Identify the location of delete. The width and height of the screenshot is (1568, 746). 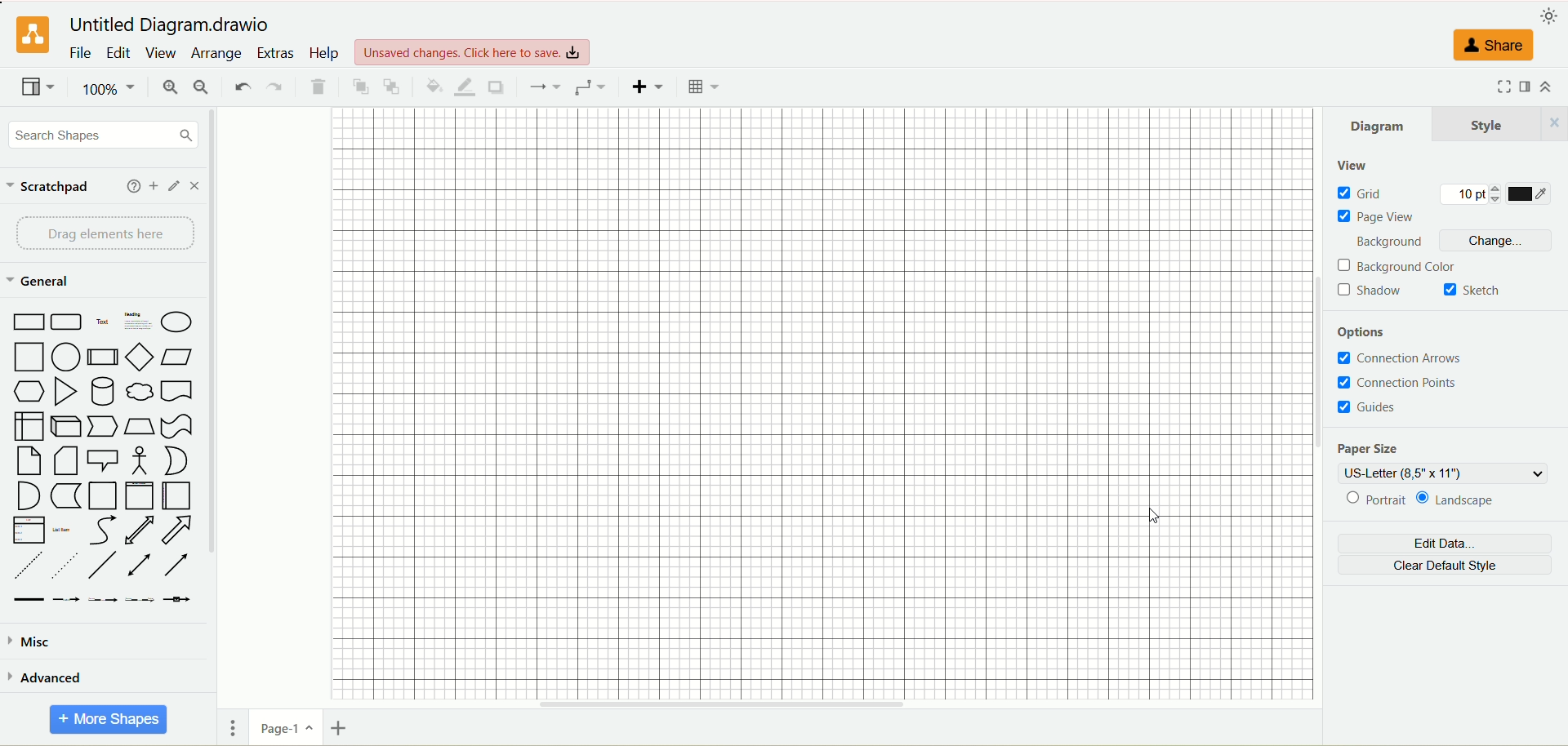
(318, 87).